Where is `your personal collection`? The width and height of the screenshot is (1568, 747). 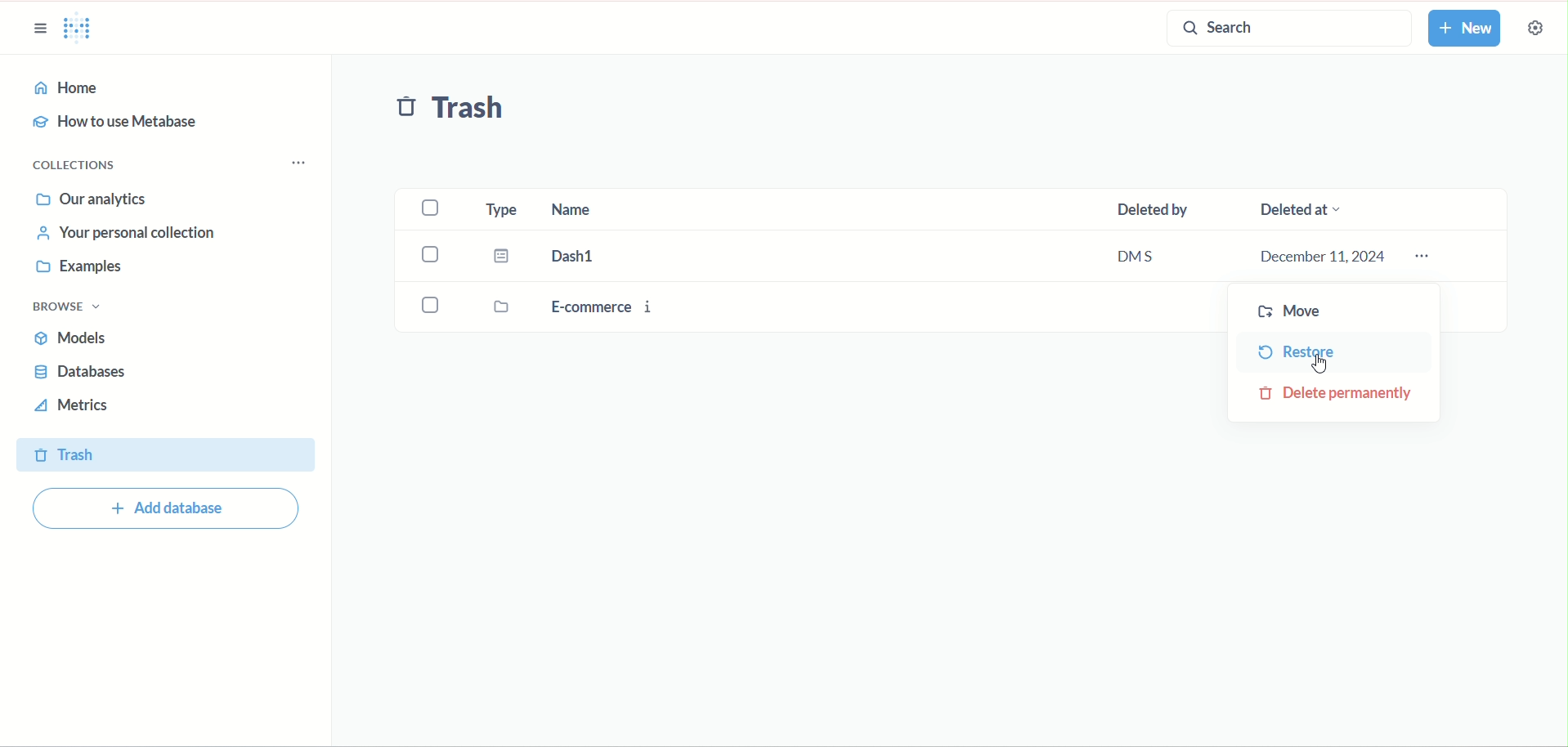 your personal collection is located at coordinates (120, 233).